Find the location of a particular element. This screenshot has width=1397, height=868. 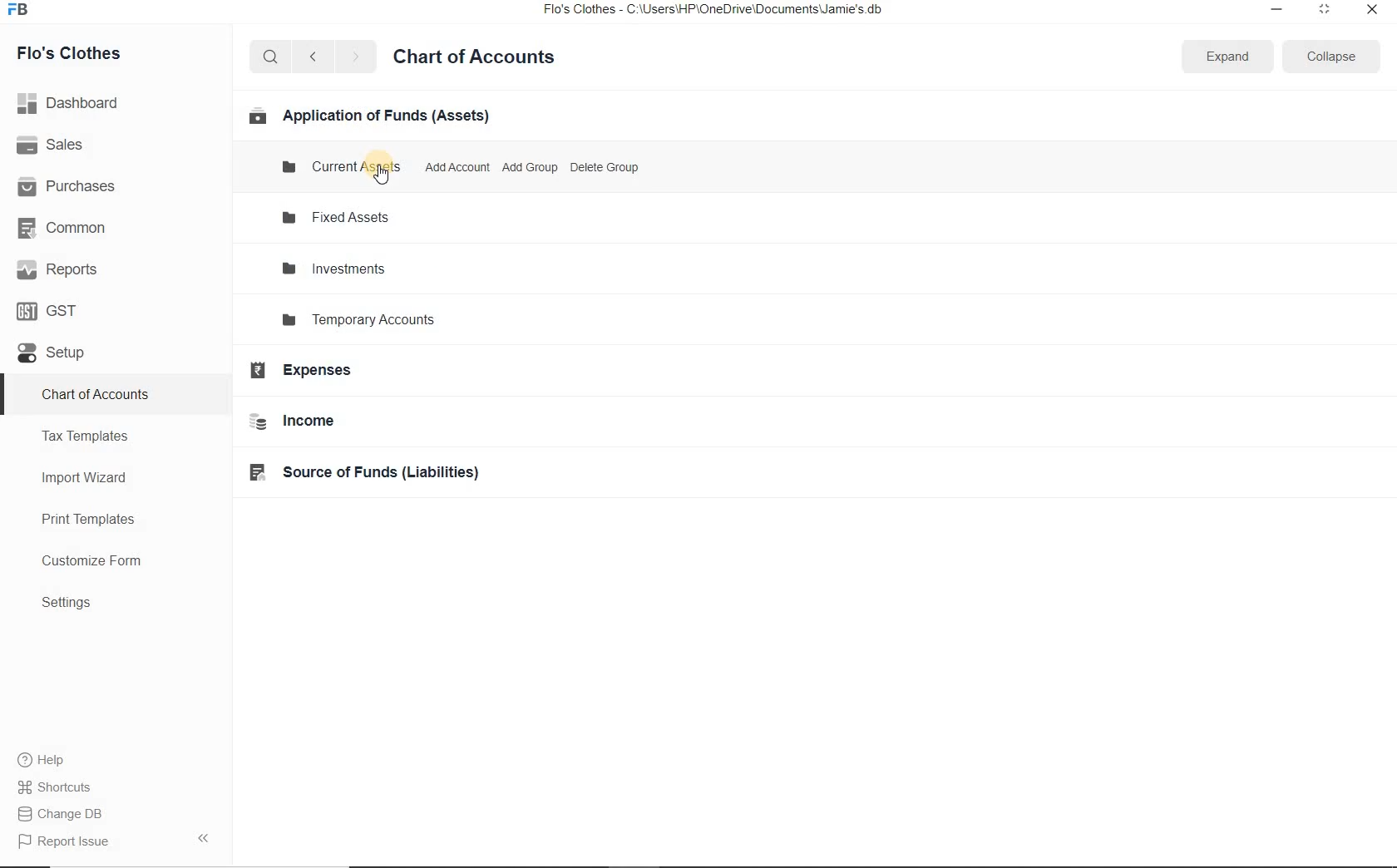

Report Issue is located at coordinates (63, 841).